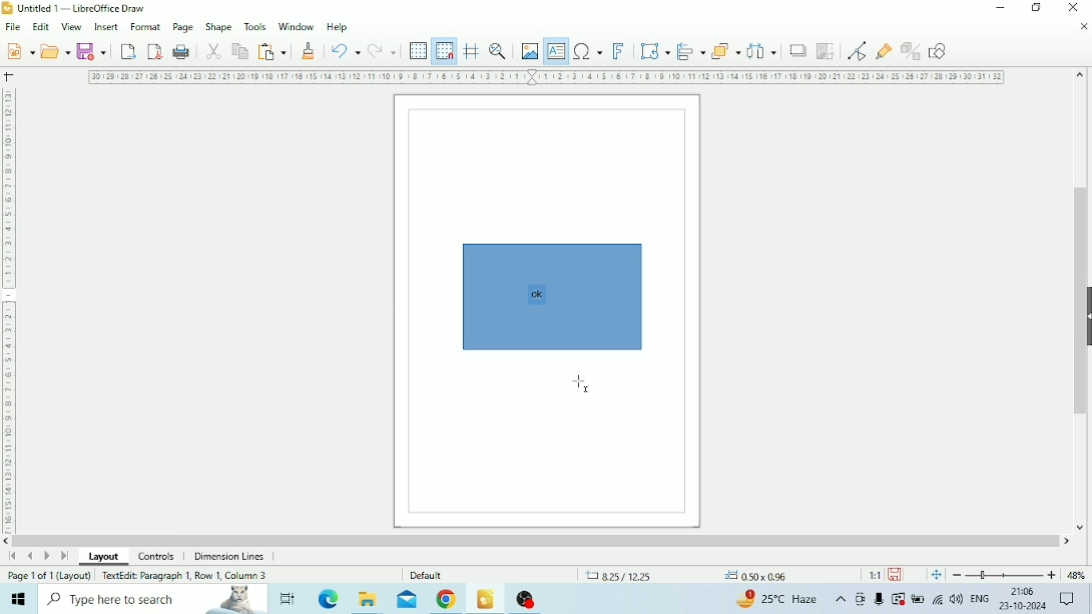 Image resolution: width=1092 pixels, height=614 pixels. I want to click on Text, so click(537, 295).